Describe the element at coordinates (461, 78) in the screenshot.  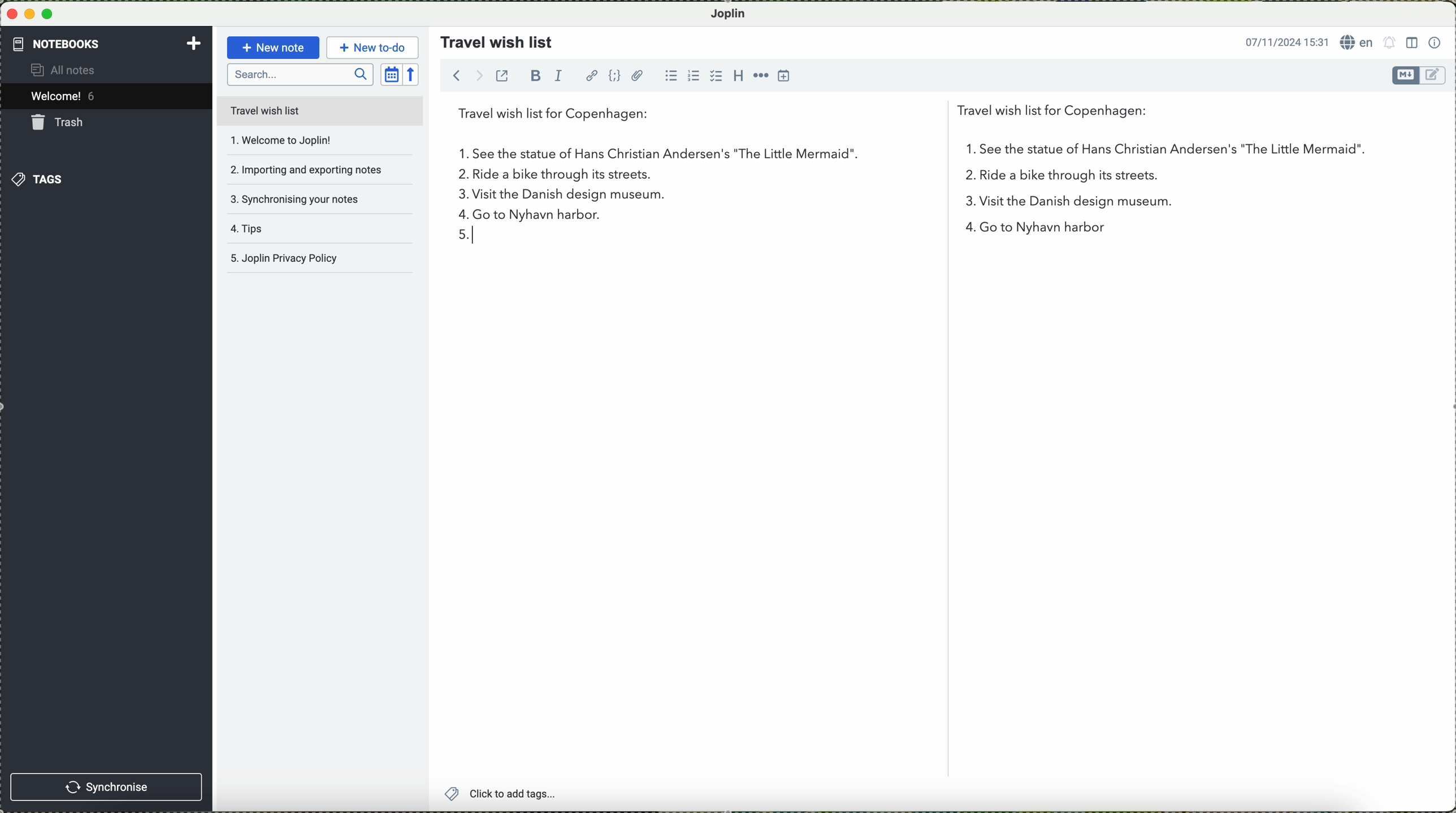
I see `navigate` at that location.